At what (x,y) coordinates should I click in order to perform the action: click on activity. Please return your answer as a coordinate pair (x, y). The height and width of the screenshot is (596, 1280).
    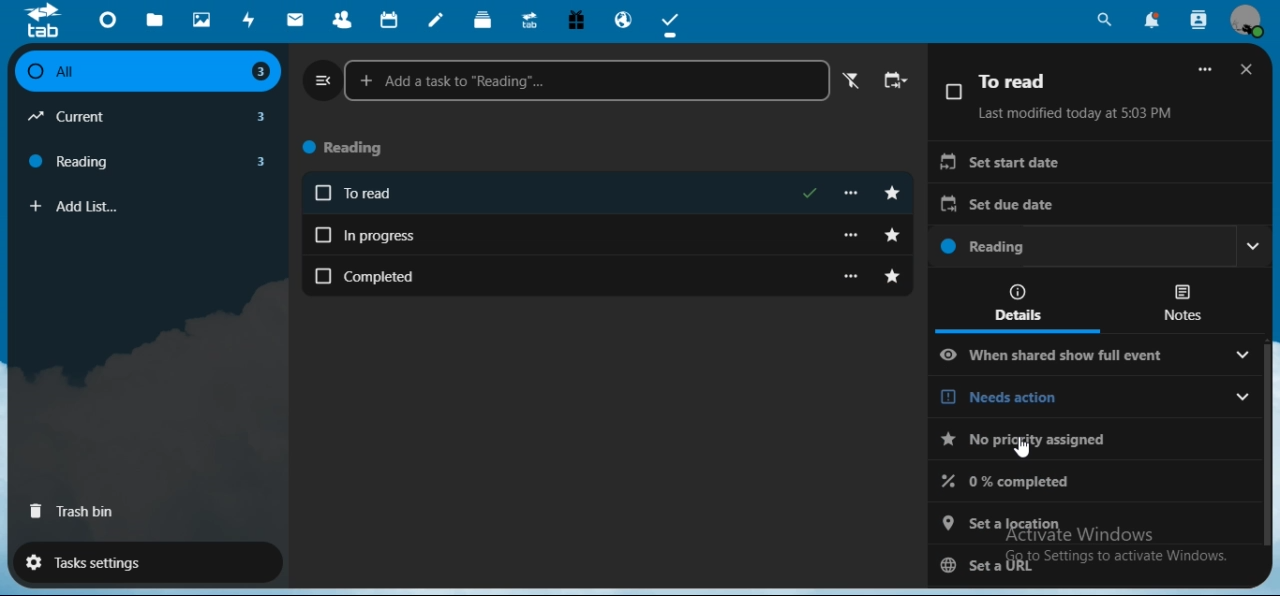
    Looking at the image, I should click on (246, 21).